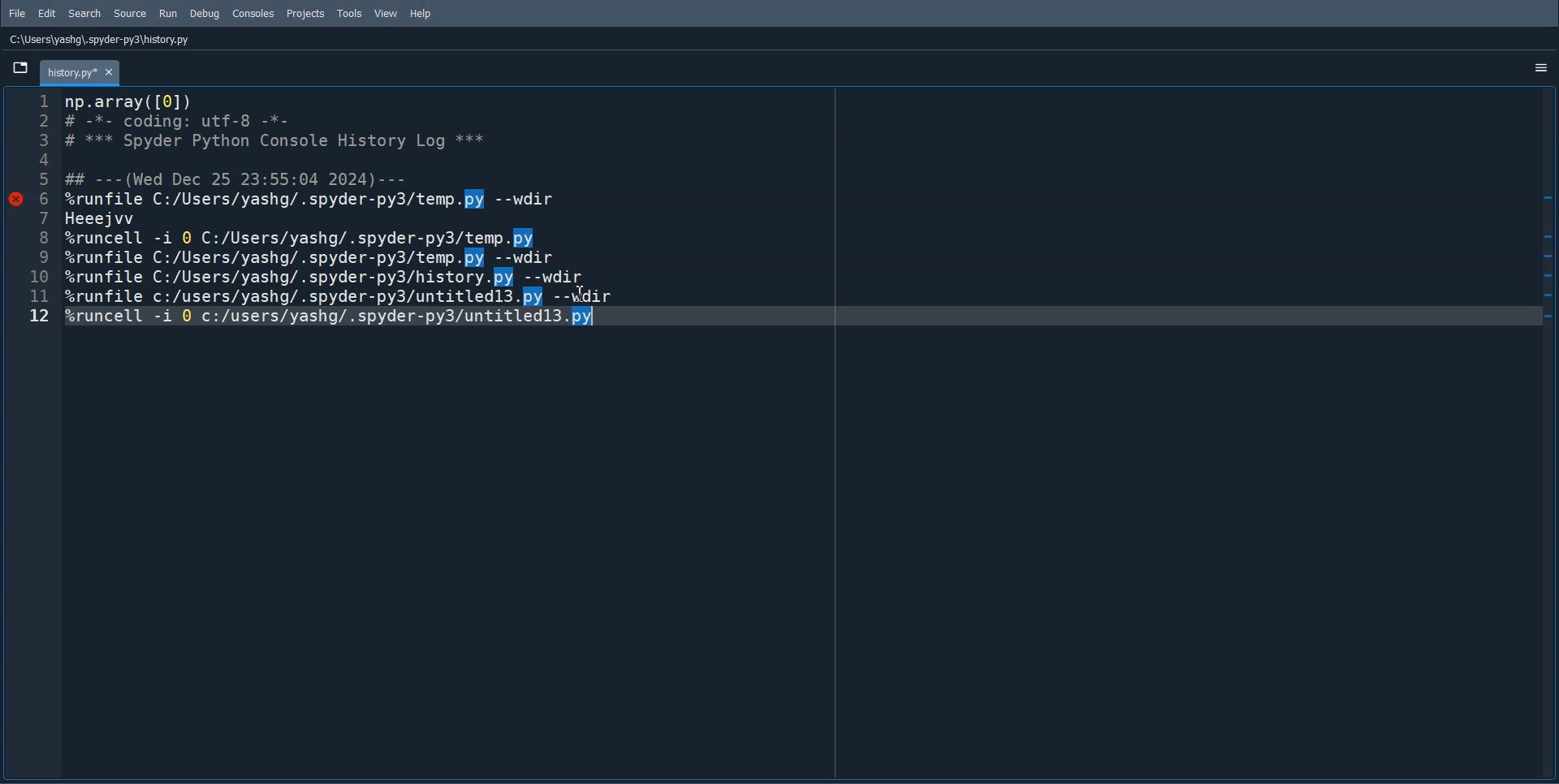 The height and width of the screenshot is (784, 1559). Describe the element at coordinates (1540, 69) in the screenshot. I see `Options` at that location.